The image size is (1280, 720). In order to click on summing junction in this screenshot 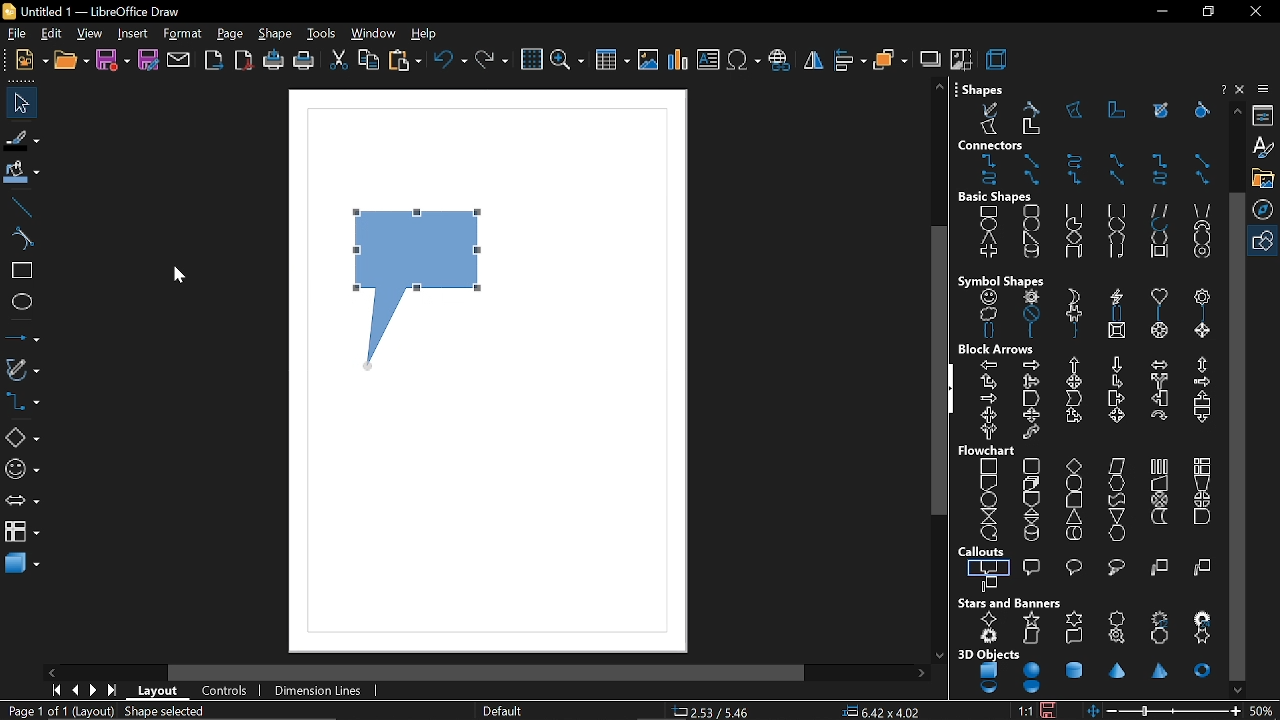, I will do `click(1160, 500)`.